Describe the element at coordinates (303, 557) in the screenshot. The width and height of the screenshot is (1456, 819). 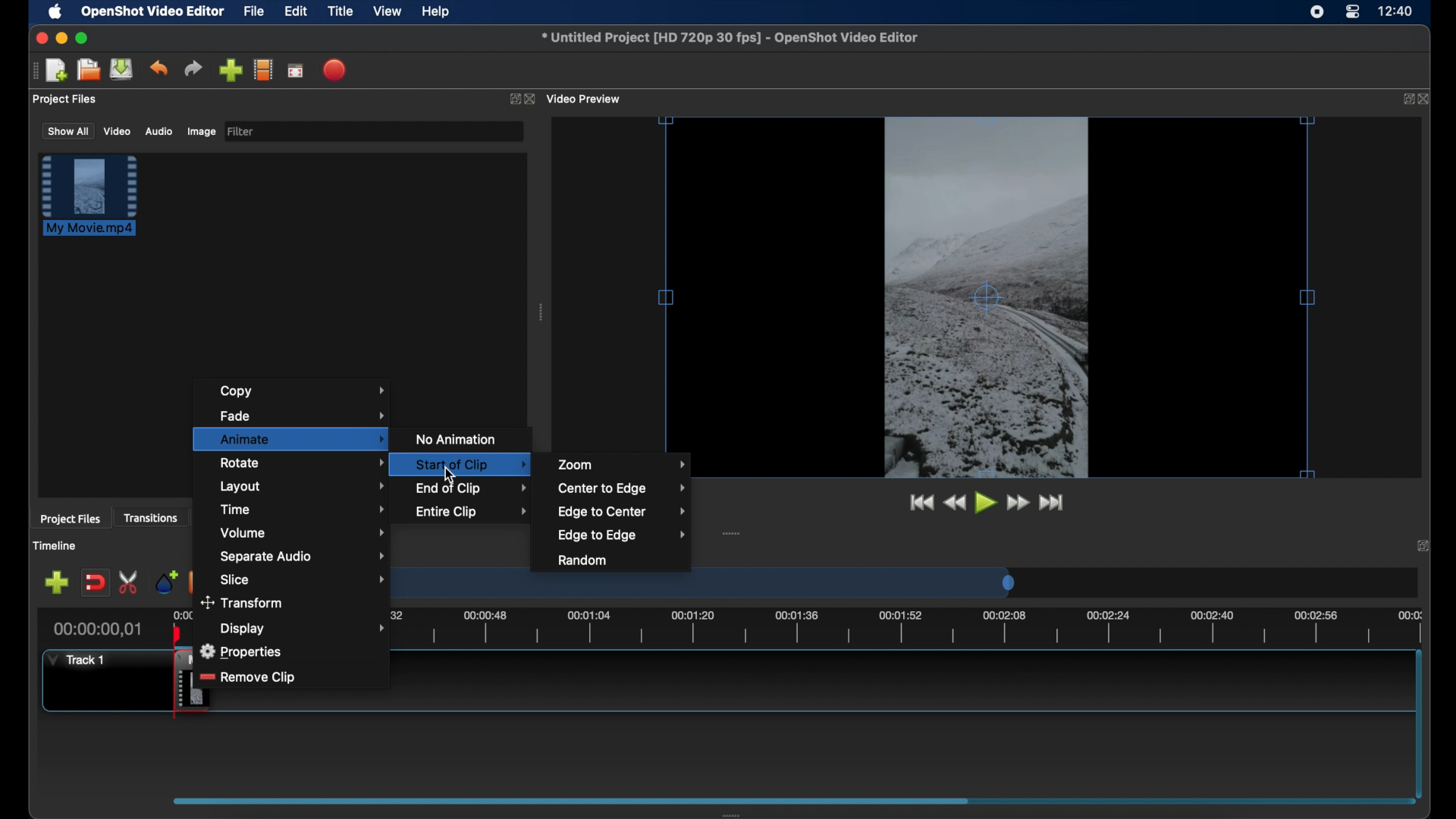
I see `separate audio menu` at that location.